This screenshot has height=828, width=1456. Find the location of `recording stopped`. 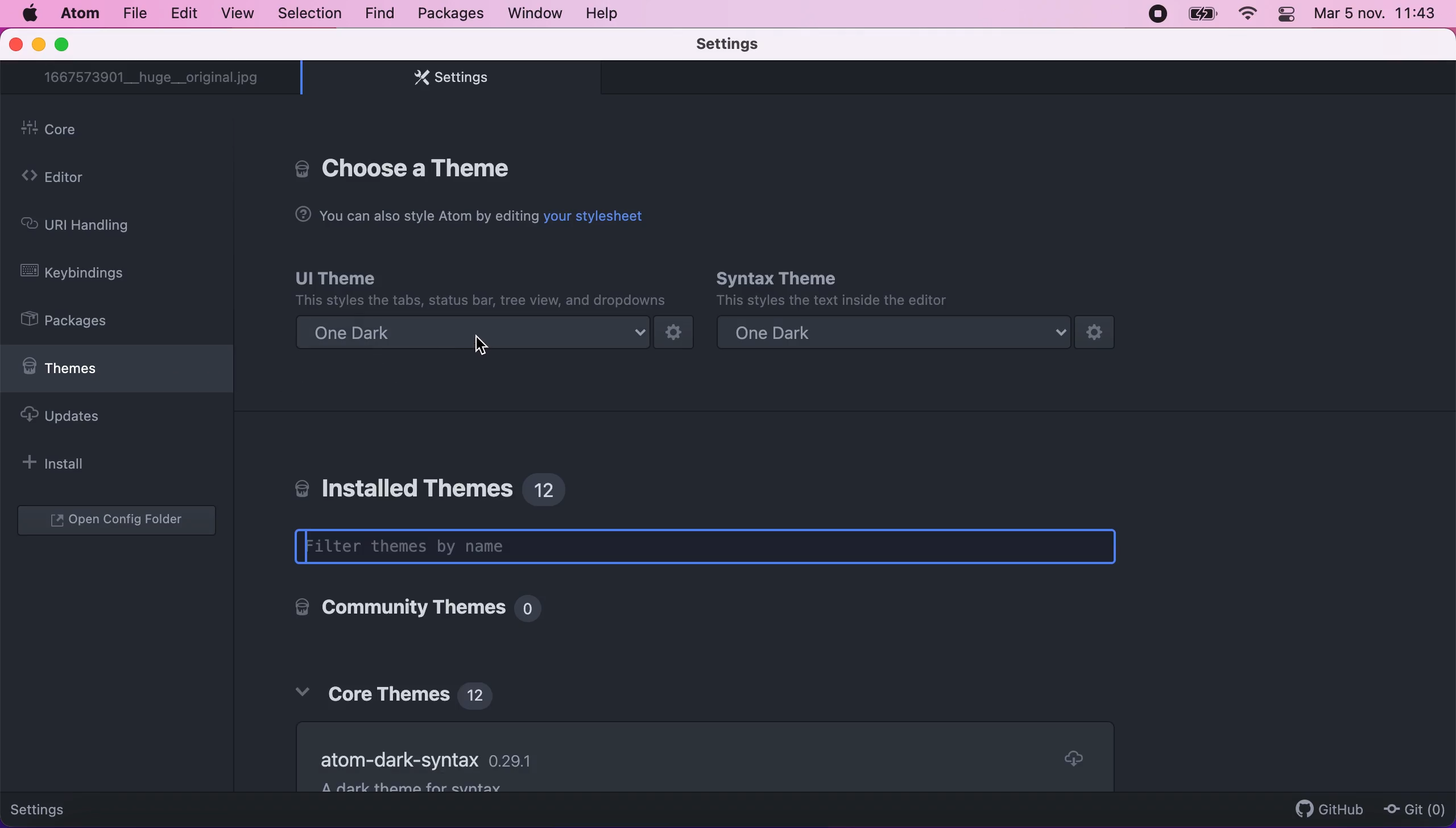

recording stopped is located at coordinates (1155, 14).